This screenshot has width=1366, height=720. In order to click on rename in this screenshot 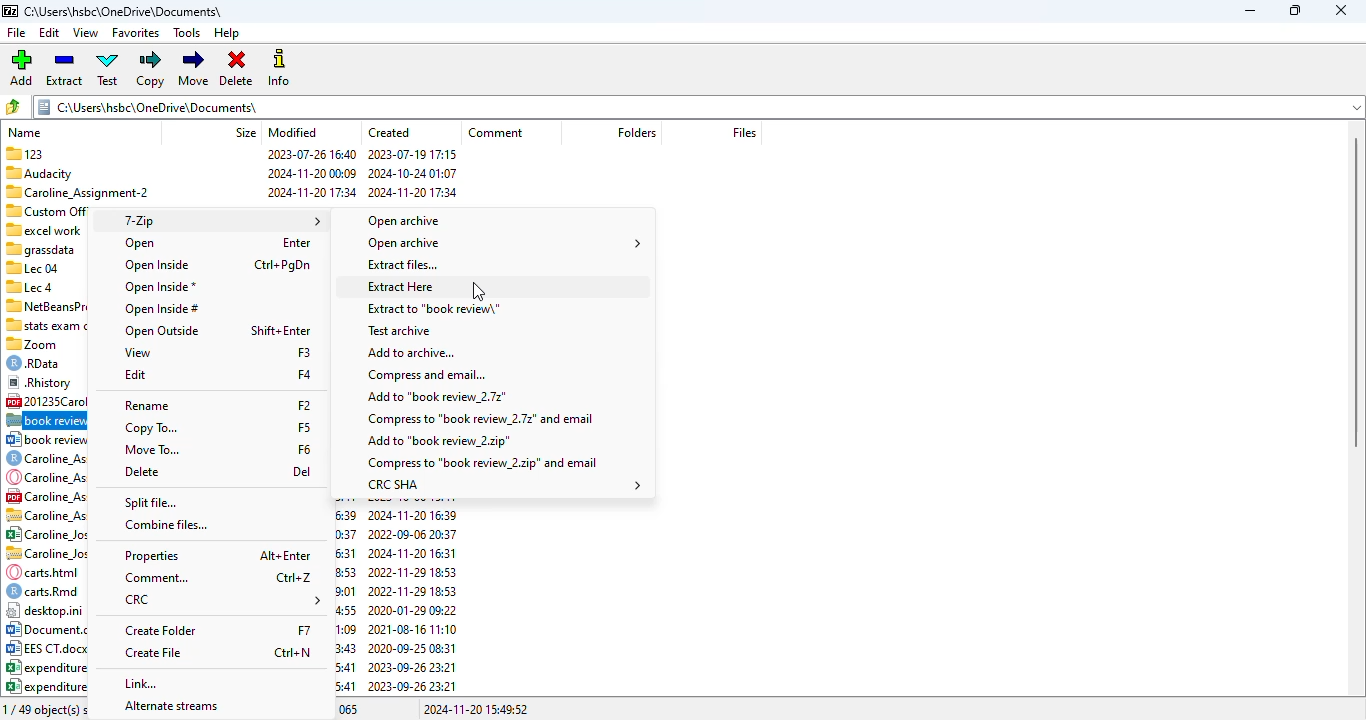, I will do `click(147, 406)`.